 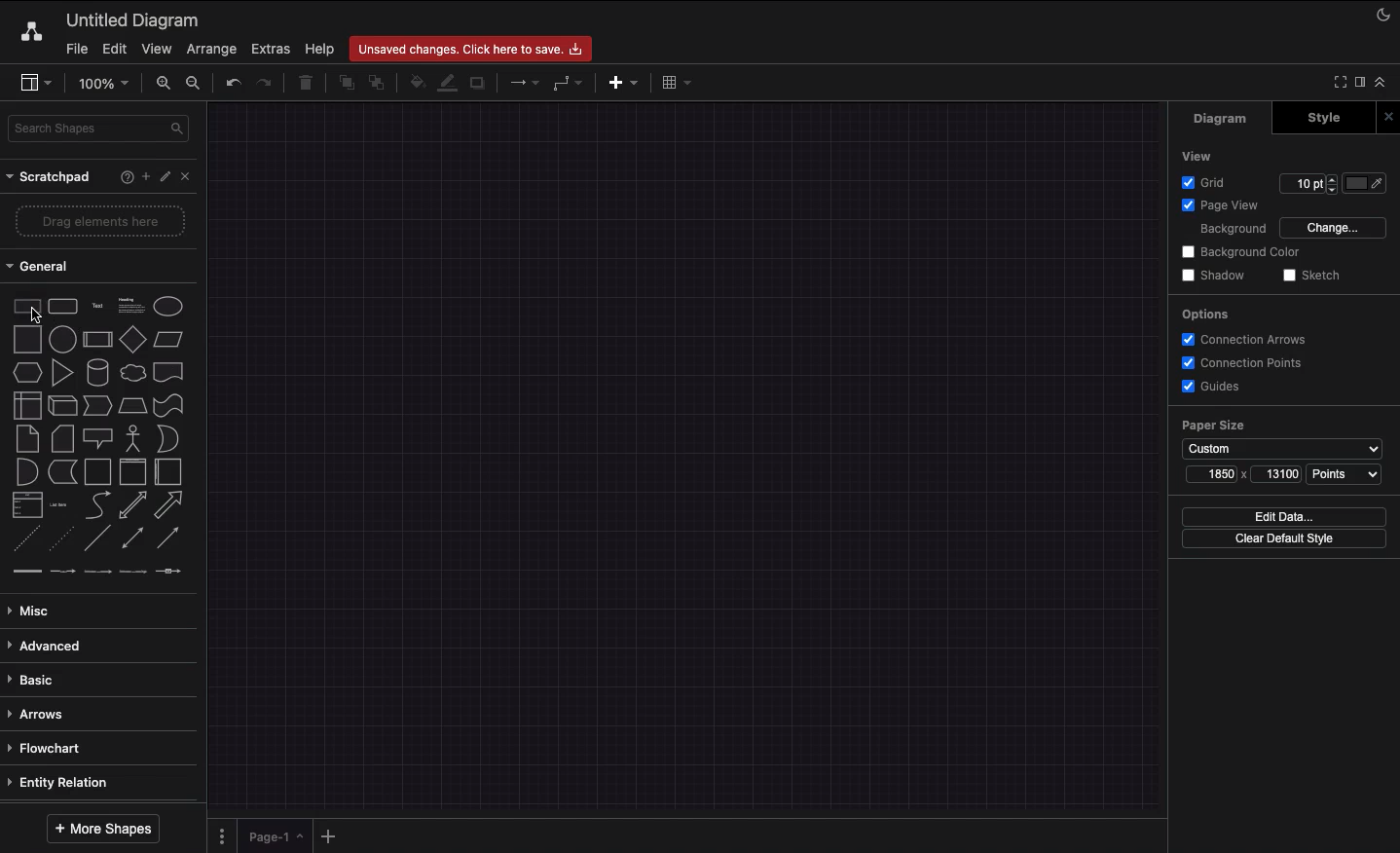 What do you see at coordinates (43, 265) in the screenshot?
I see `General` at bounding box center [43, 265].